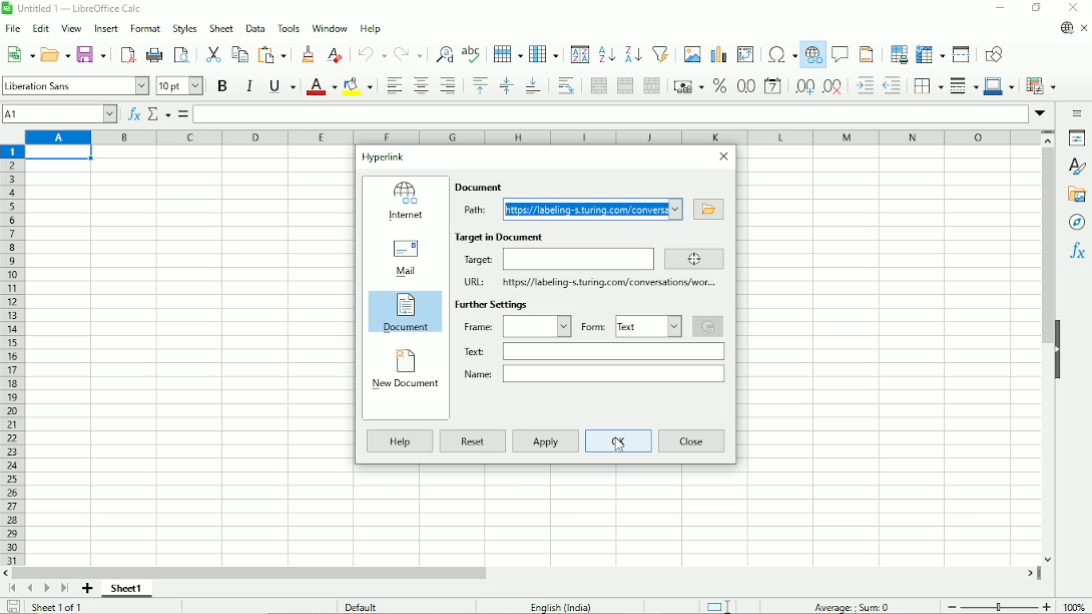 The width and height of the screenshot is (1092, 614). I want to click on Open, so click(55, 53).